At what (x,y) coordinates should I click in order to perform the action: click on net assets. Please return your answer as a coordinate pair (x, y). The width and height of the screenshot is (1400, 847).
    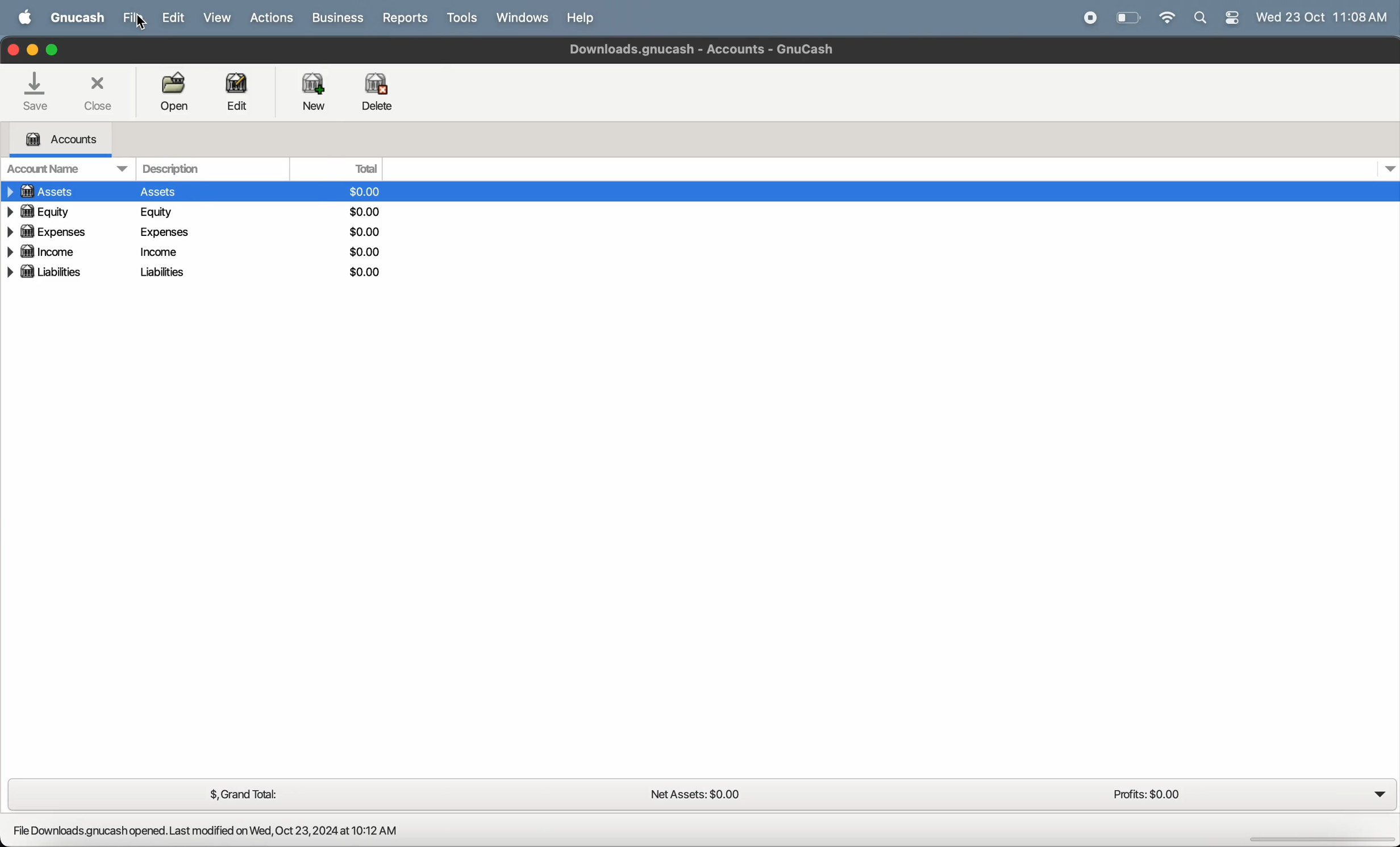
    Looking at the image, I should click on (698, 798).